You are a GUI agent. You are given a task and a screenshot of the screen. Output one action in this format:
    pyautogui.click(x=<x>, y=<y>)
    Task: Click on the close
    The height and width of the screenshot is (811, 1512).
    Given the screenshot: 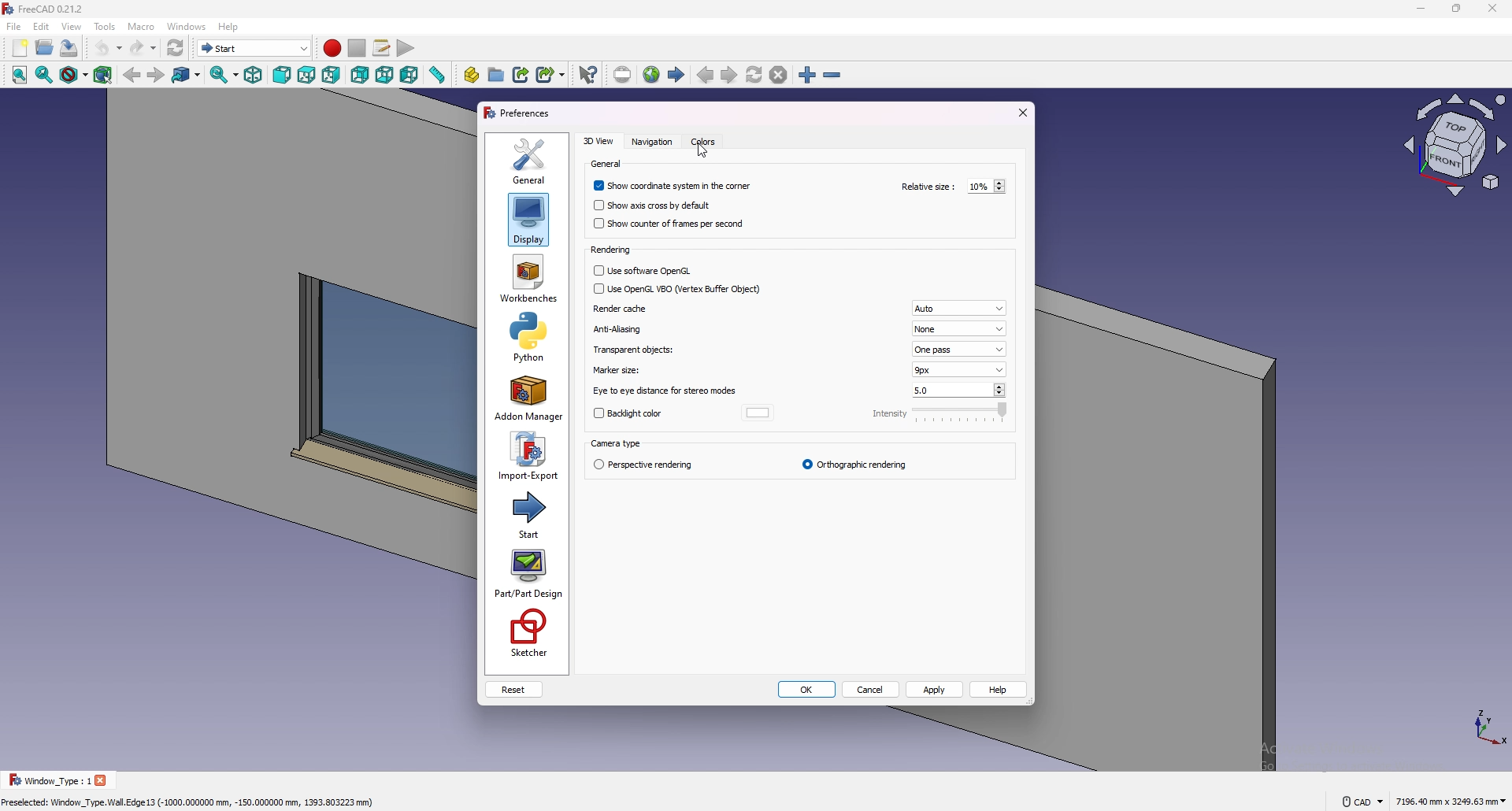 What is the action you would take?
    pyautogui.click(x=104, y=780)
    